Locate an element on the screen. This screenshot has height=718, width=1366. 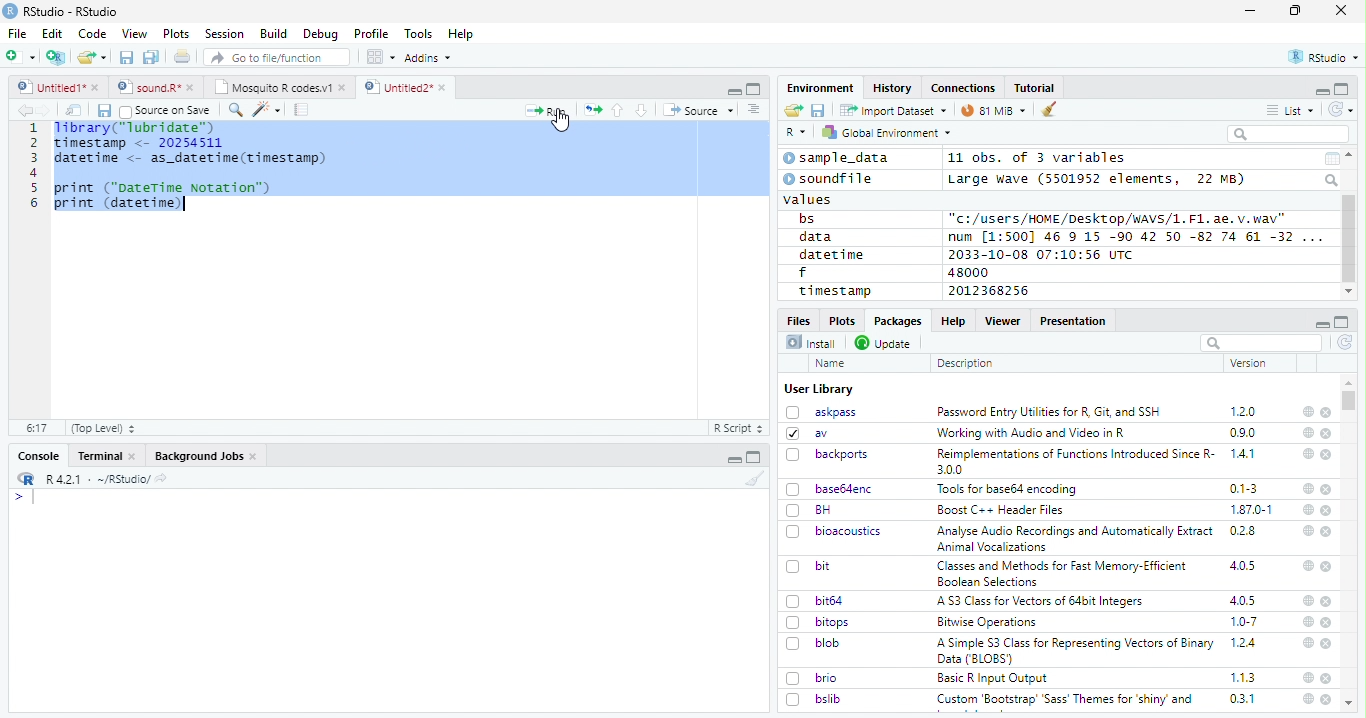
help is located at coordinates (1306, 642).